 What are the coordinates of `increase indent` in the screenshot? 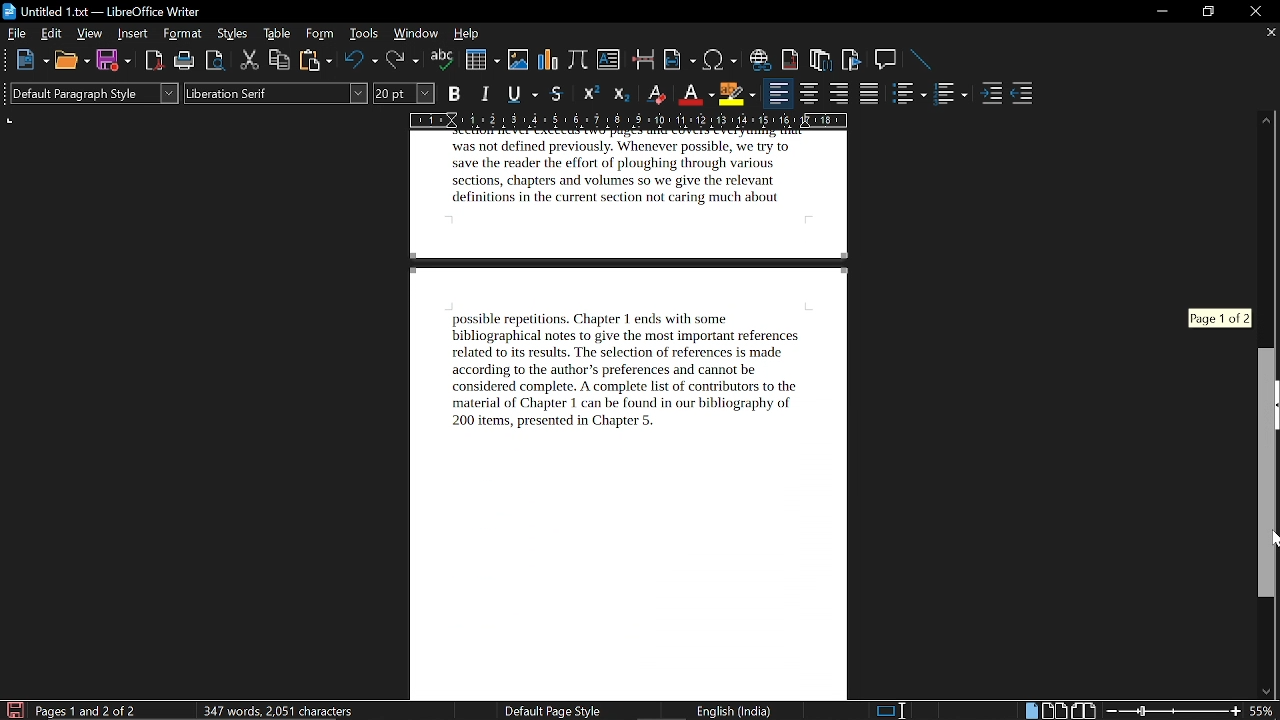 It's located at (991, 95).